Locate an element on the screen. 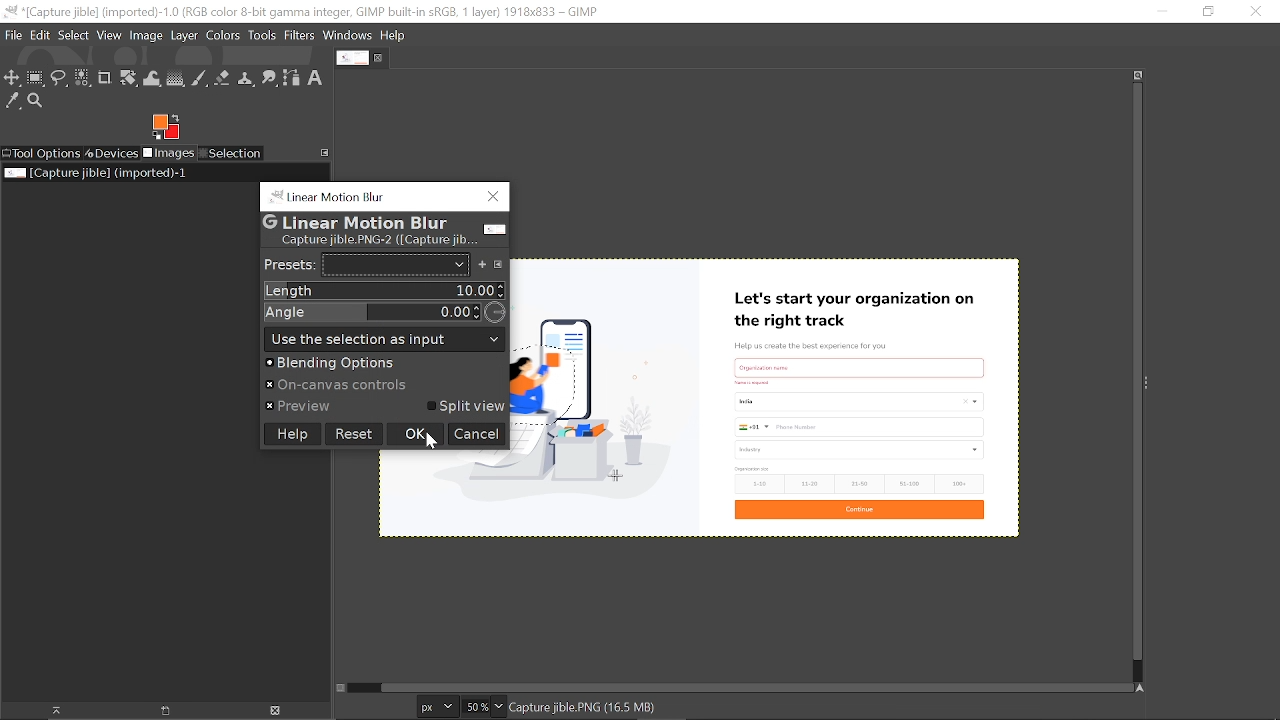  Capture jible.PNG-2 (Capture jib... is located at coordinates (375, 240).